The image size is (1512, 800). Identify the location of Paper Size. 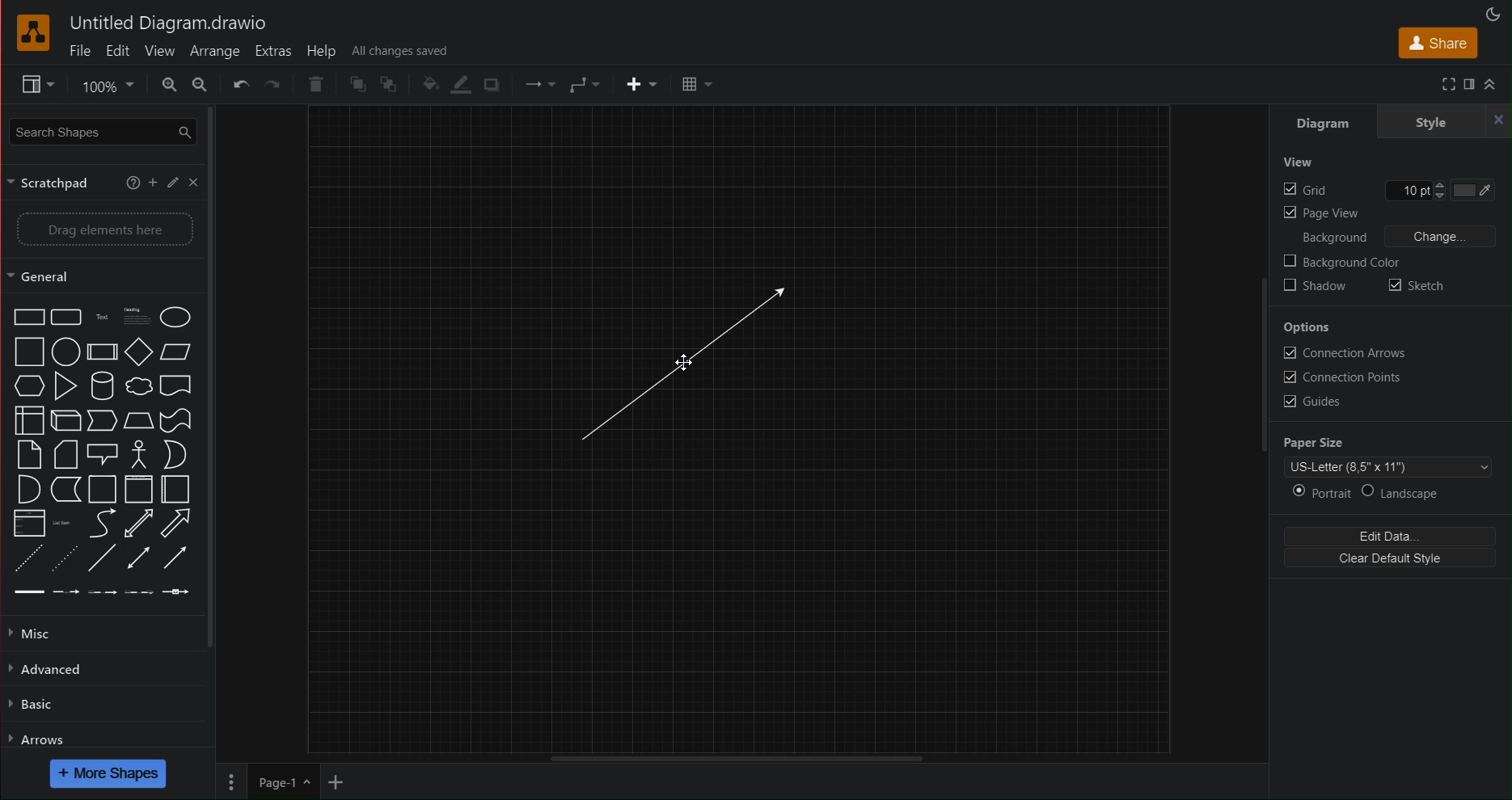
(1316, 442).